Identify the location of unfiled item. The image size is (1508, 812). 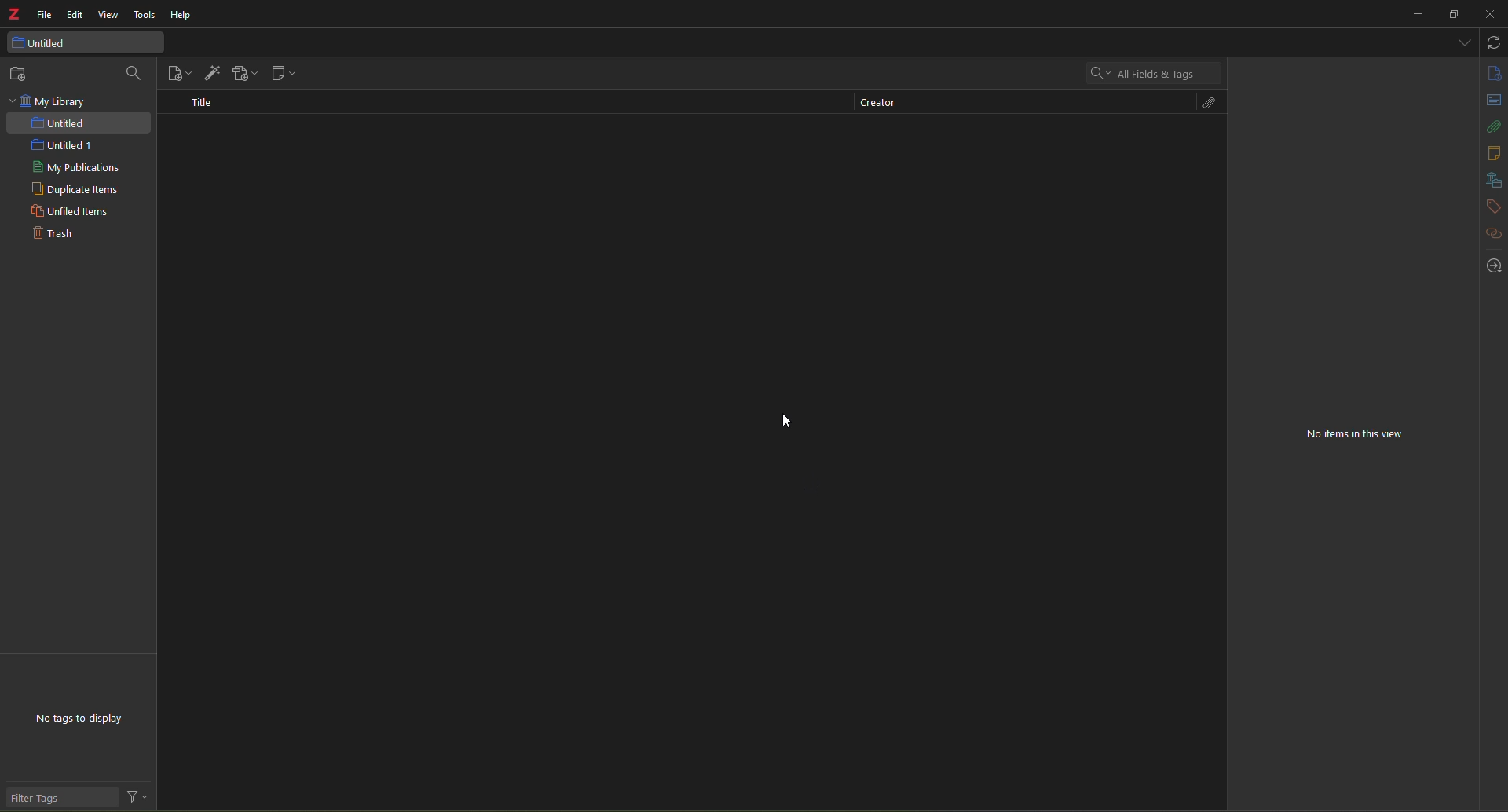
(68, 213).